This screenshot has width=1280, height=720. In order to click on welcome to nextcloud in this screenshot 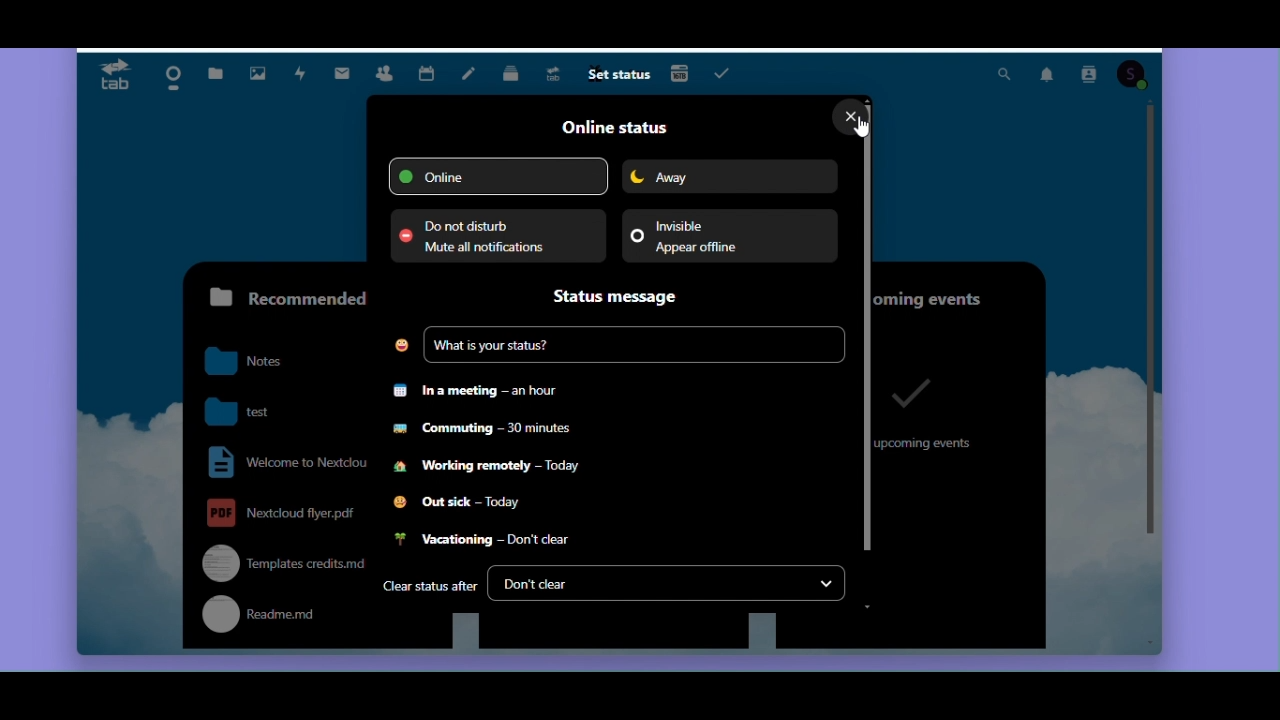, I will do `click(283, 463)`.